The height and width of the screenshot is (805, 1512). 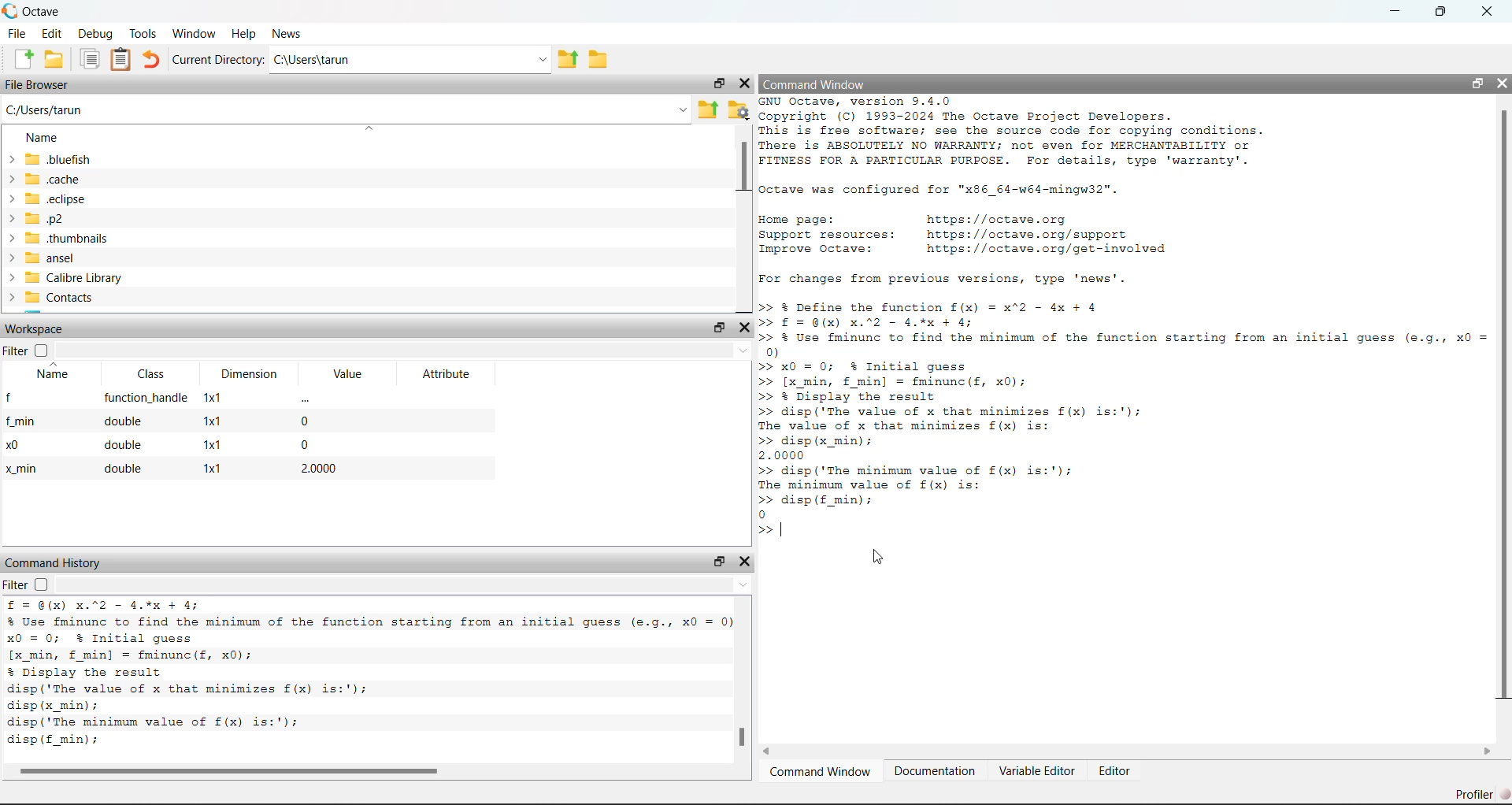 What do you see at coordinates (242, 31) in the screenshot?
I see `Help` at bounding box center [242, 31].